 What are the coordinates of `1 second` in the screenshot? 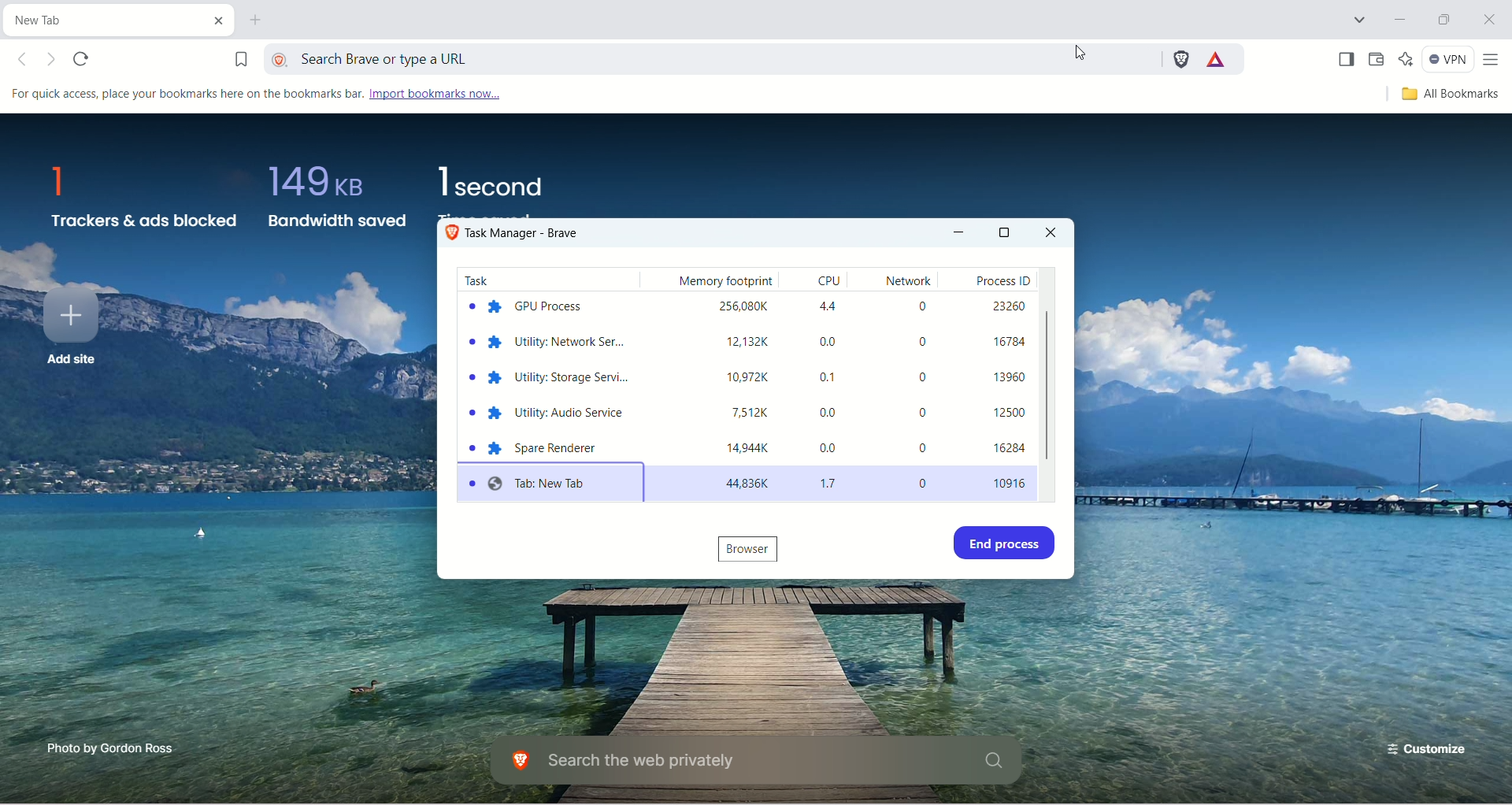 It's located at (489, 180).